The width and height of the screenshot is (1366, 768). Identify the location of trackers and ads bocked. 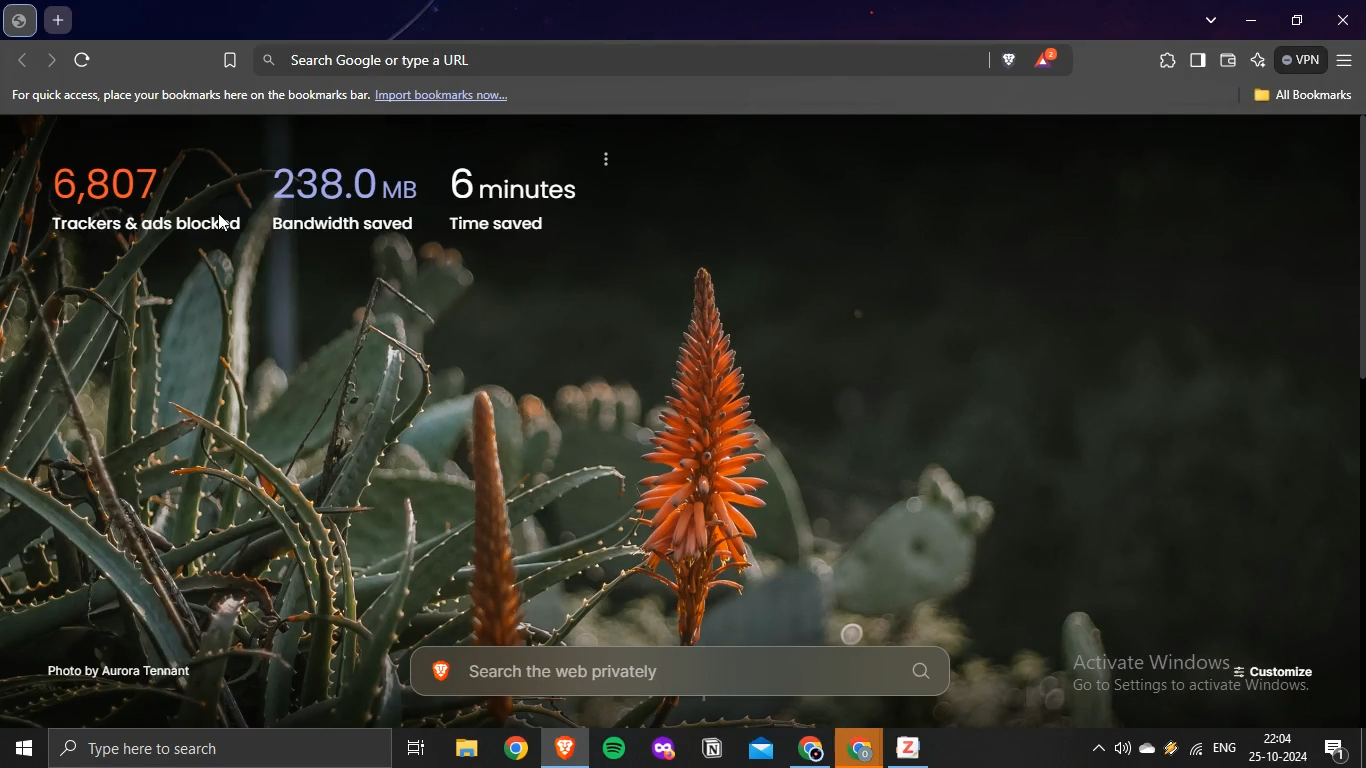
(328, 188).